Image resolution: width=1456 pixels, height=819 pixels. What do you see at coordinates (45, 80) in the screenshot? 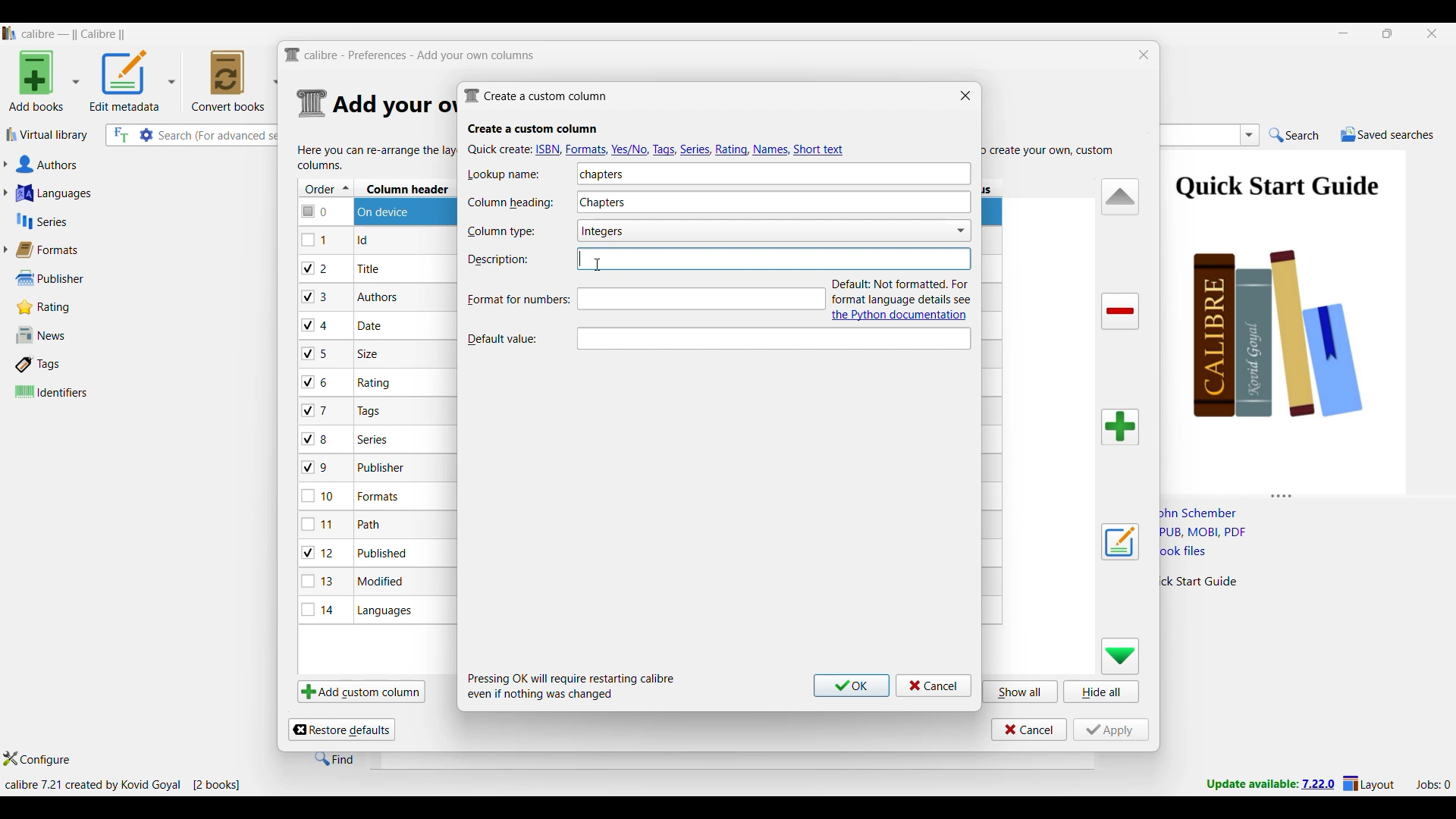
I see `Add book options` at bounding box center [45, 80].